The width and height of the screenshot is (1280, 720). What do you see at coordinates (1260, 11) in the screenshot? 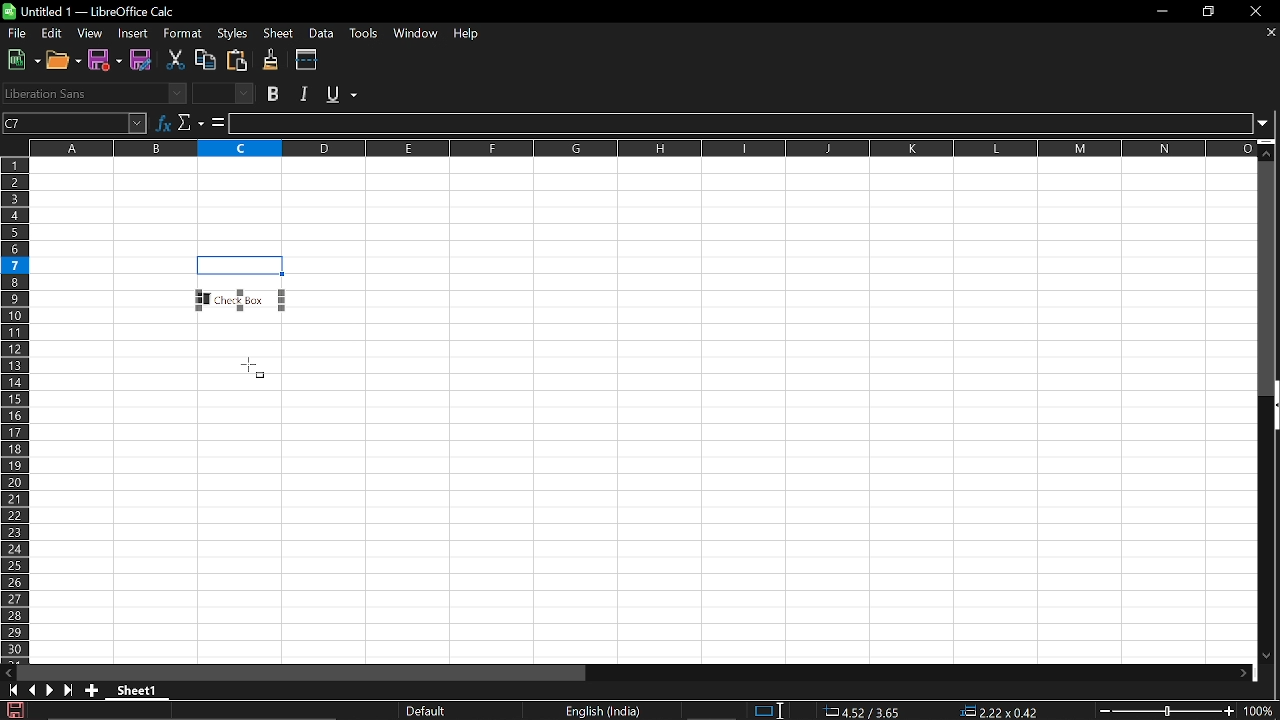
I see `Close ` at bounding box center [1260, 11].